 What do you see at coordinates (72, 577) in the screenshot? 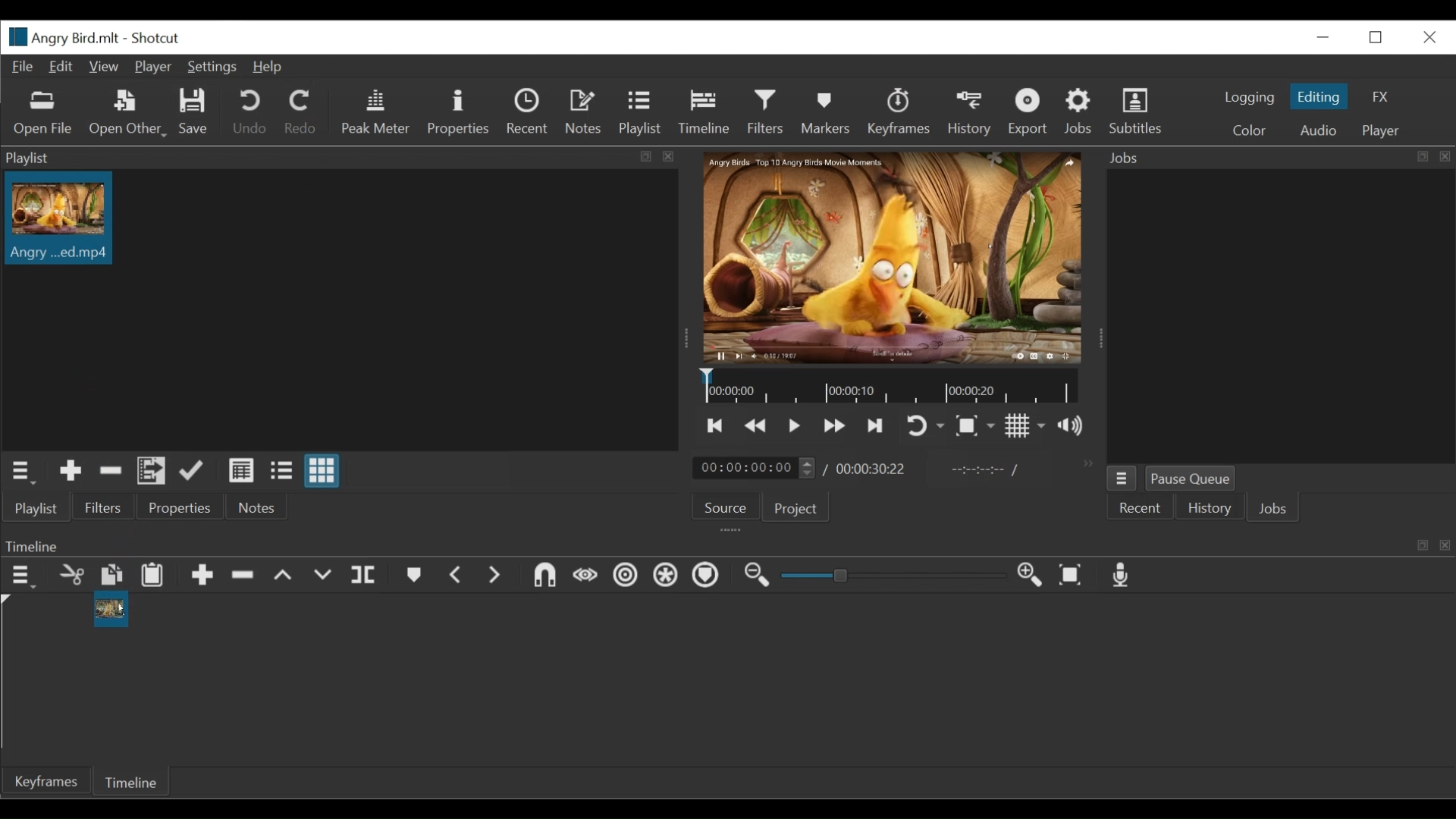
I see `Remove cut` at bounding box center [72, 577].